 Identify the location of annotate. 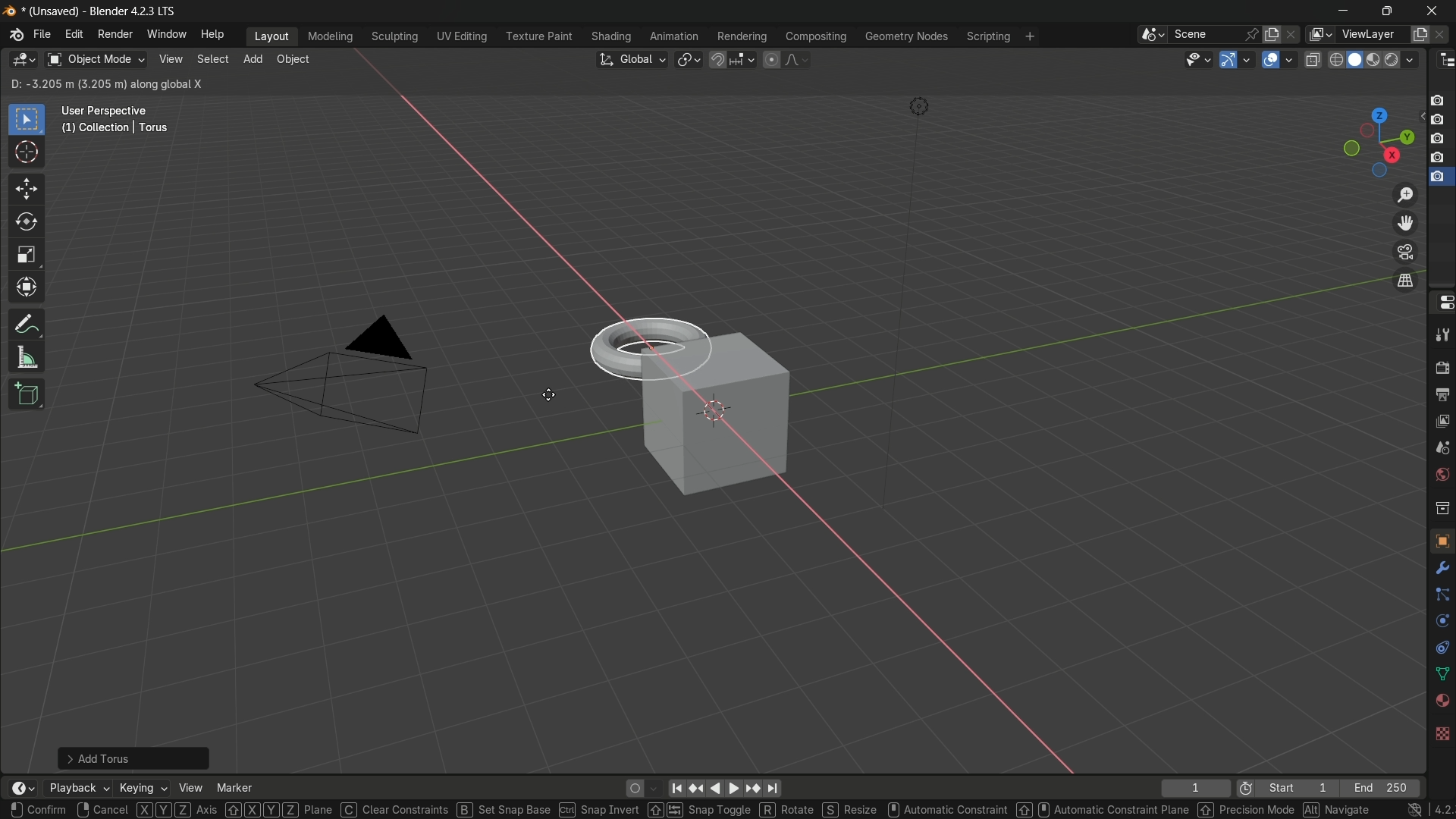
(27, 324).